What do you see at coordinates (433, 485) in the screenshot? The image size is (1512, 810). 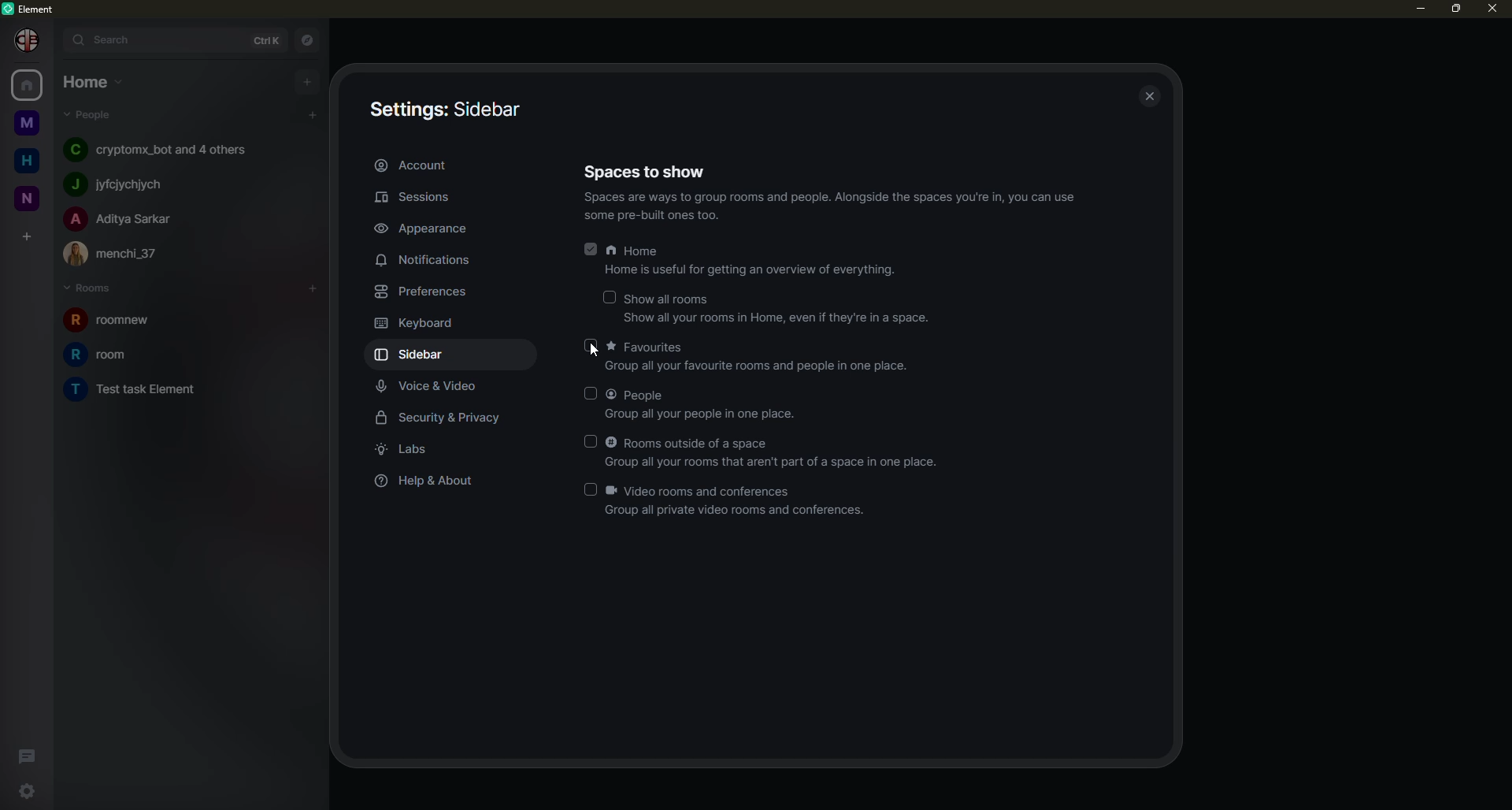 I see `help & about` at bounding box center [433, 485].